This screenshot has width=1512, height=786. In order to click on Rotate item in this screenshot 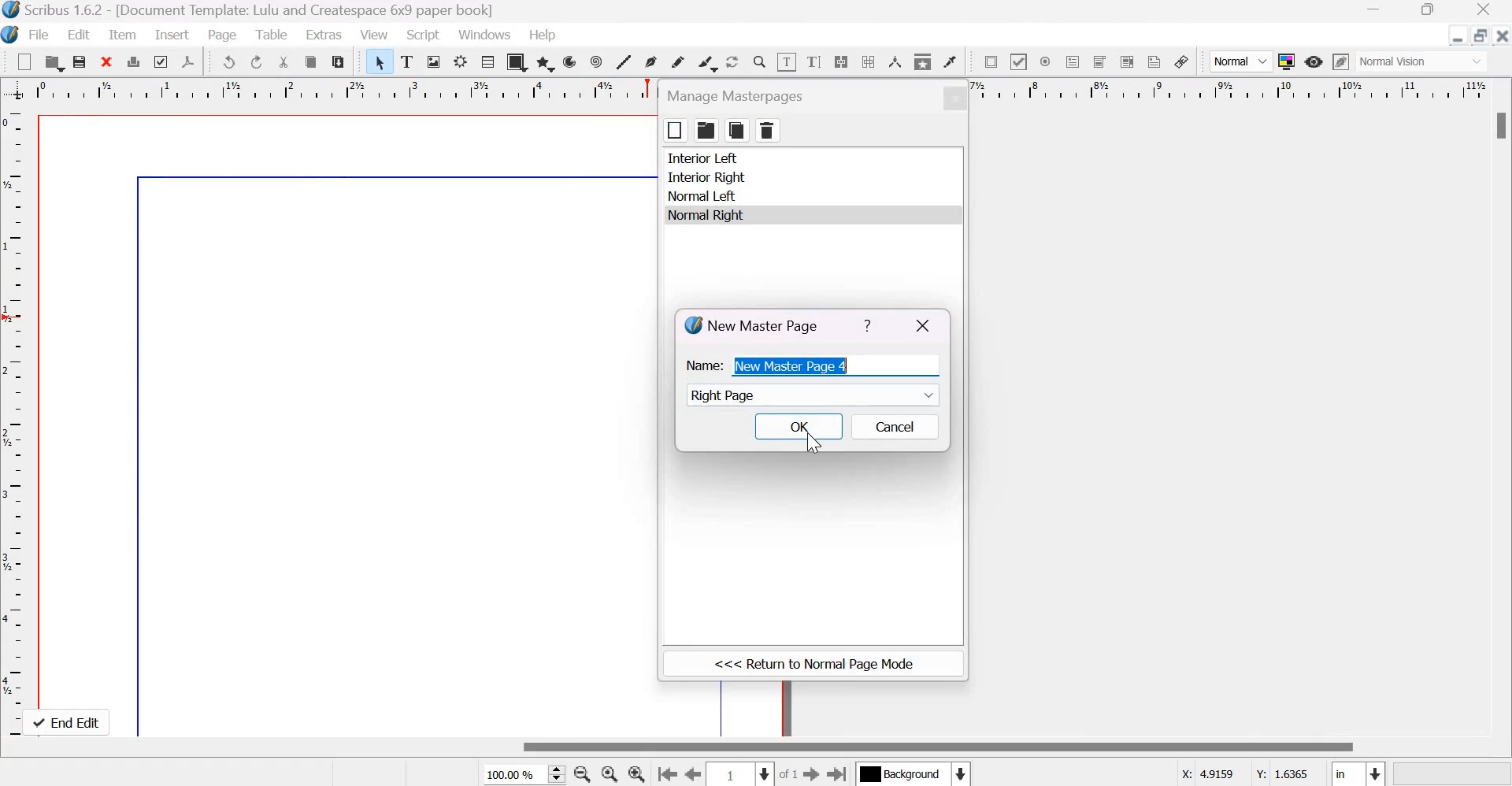, I will do `click(732, 61)`.